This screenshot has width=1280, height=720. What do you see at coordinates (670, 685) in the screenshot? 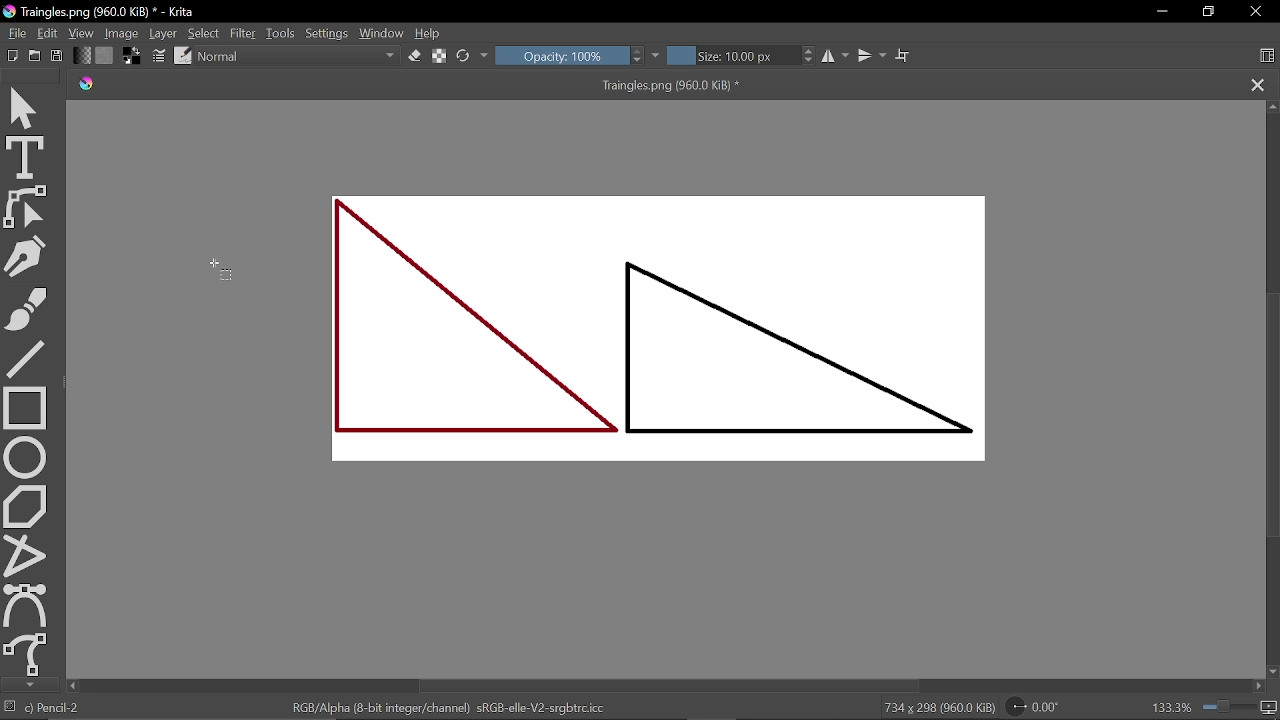
I see `Horizontal scrollbar` at bounding box center [670, 685].